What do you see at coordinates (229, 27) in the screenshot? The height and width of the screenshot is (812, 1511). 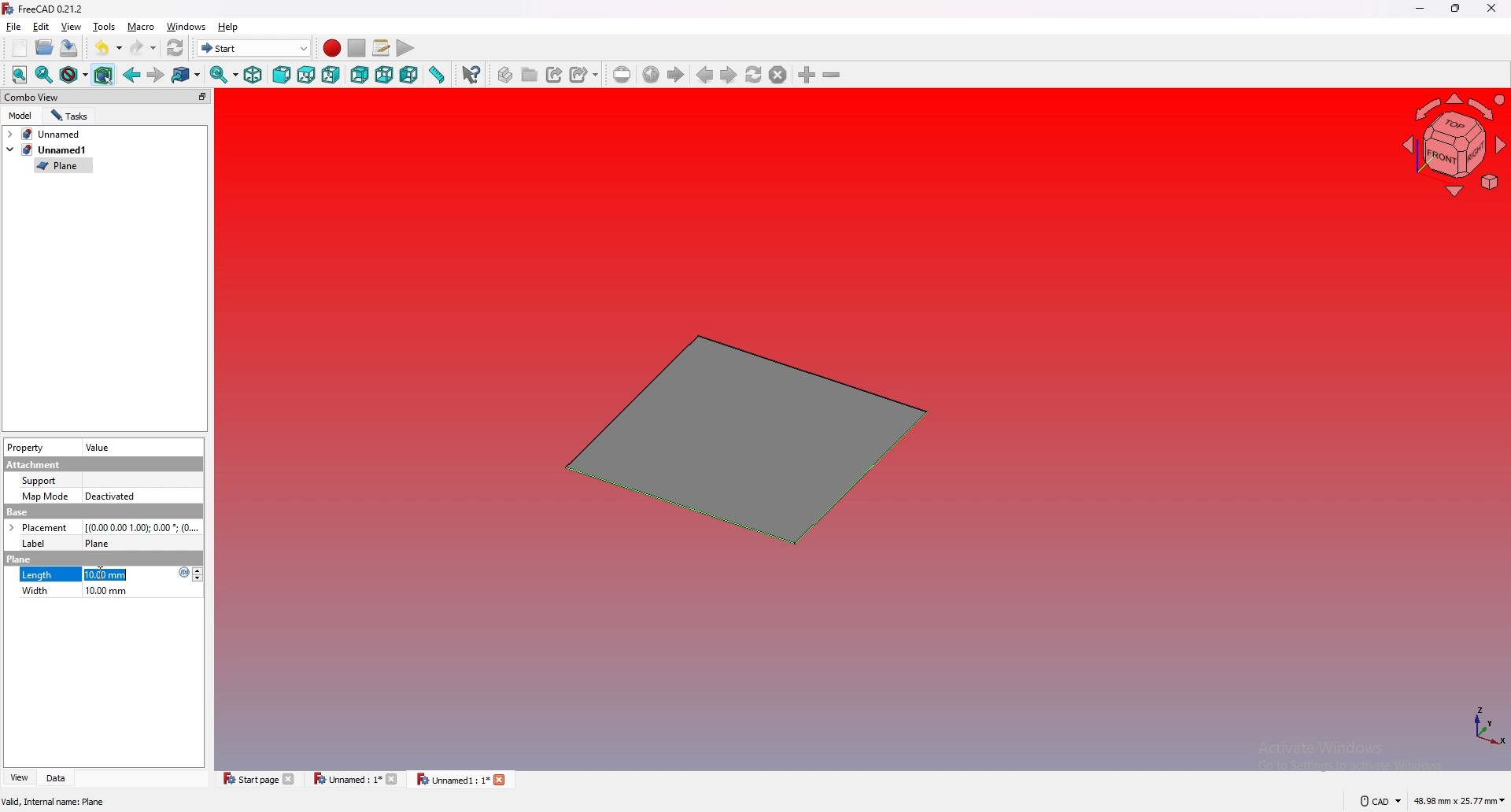 I see `help` at bounding box center [229, 27].